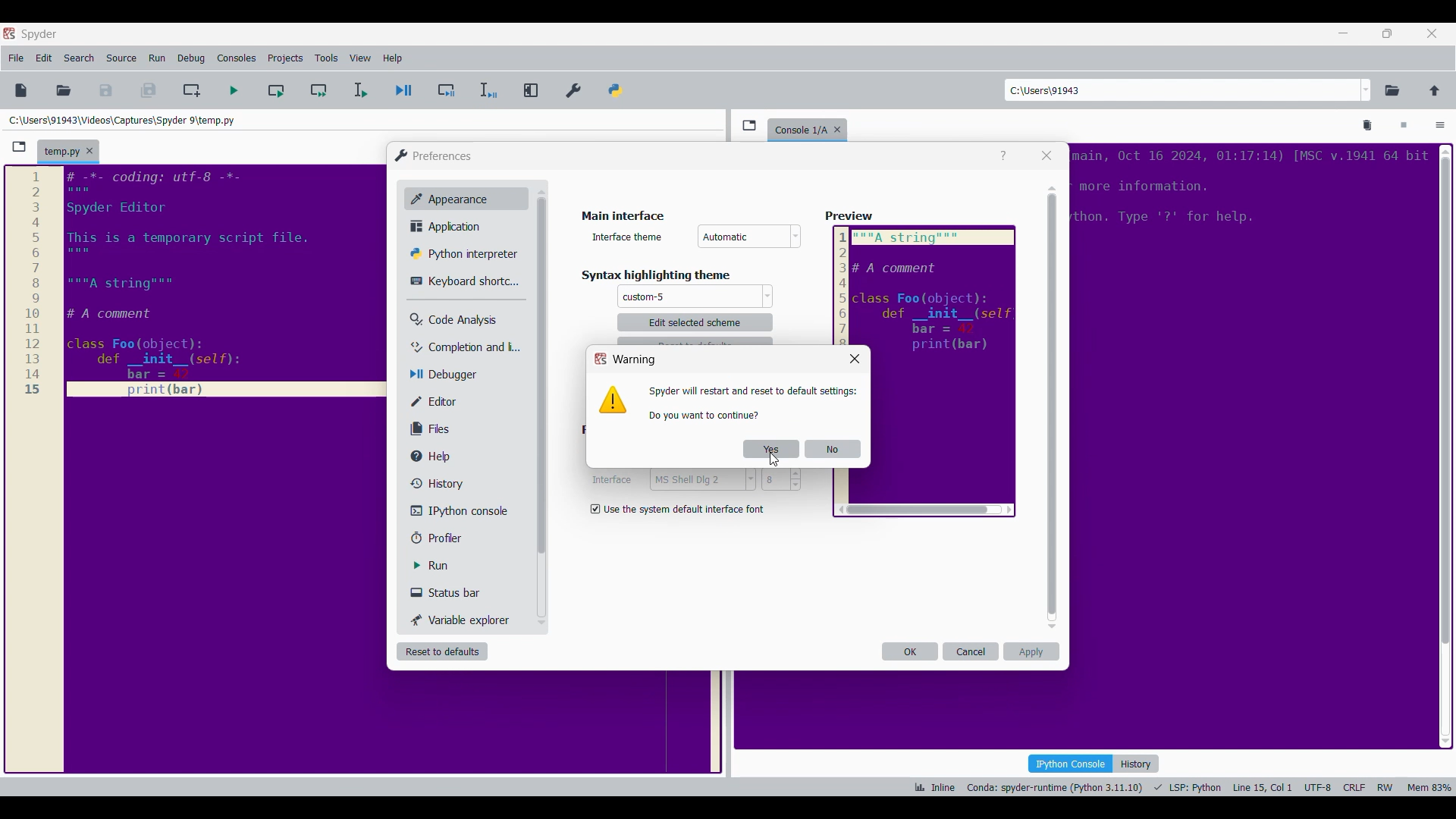 The height and width of the screenshot is (819, 1456). I want to click on Enter location, so click(1182, 90).